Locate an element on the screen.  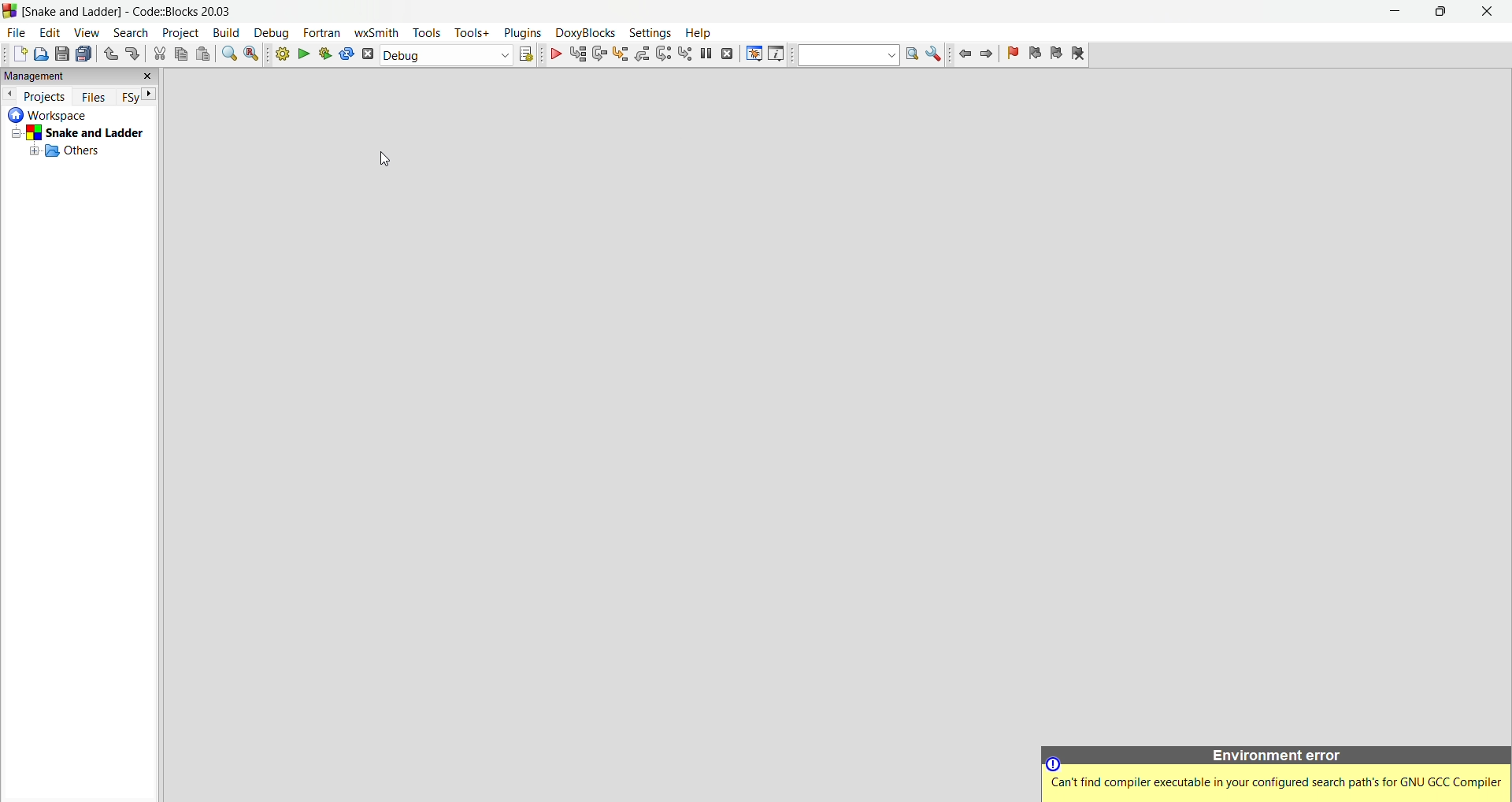
projects is located at coordinates (46, 95).